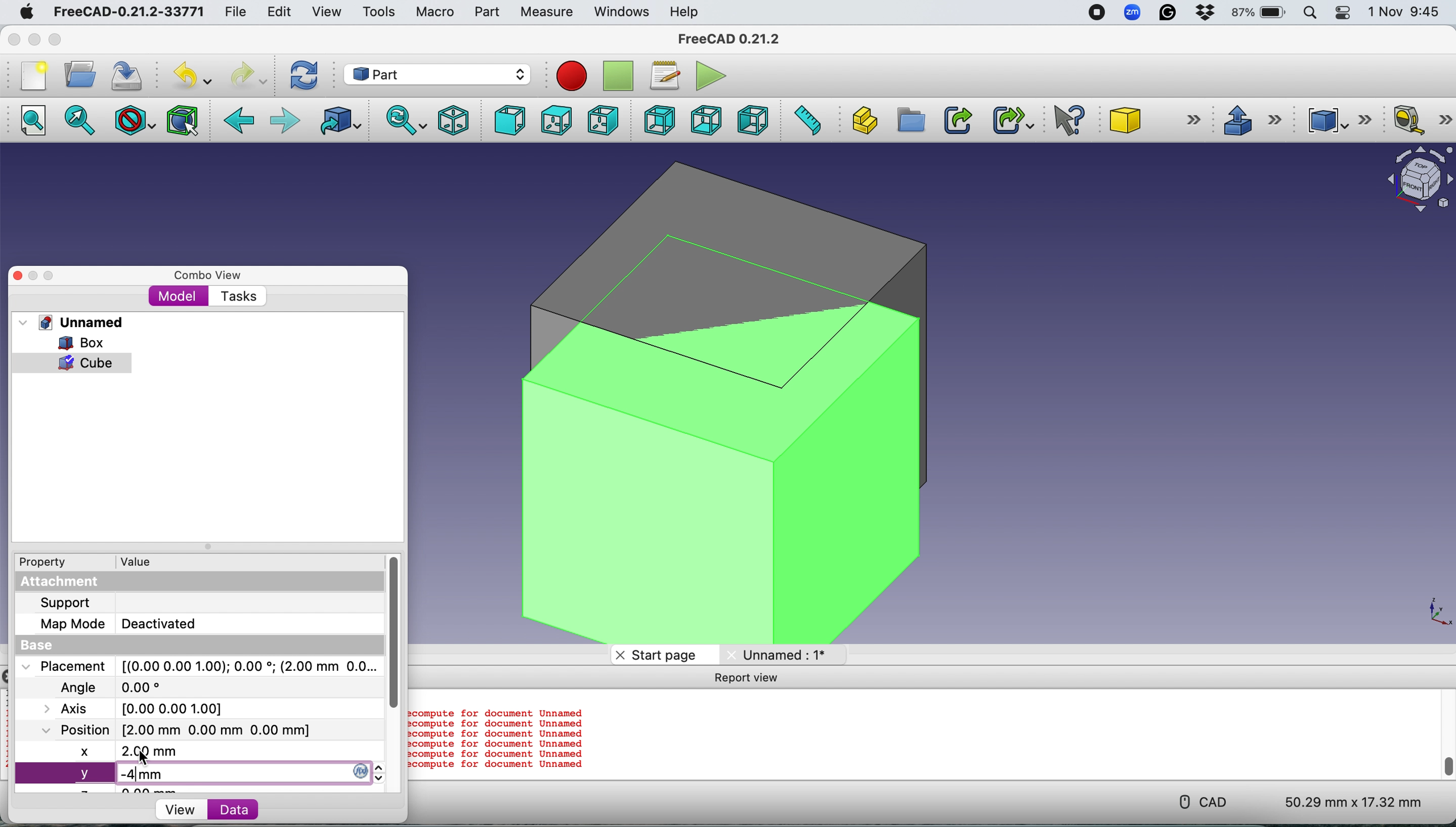  Describe the element at coordinates (622, 12) in the screenshot. I see `Windows` at that location.